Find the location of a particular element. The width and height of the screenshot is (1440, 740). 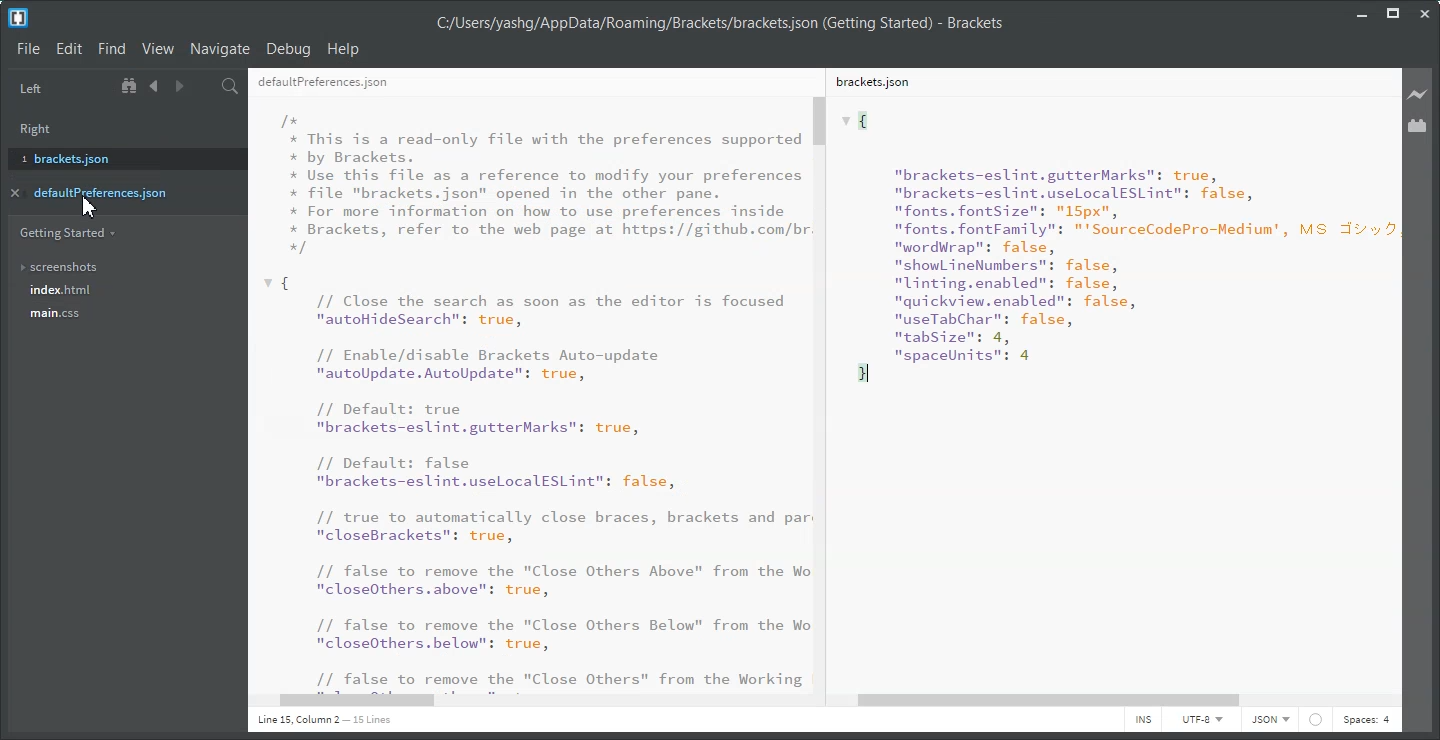

Right Panel is located at coordinates (42, 126).